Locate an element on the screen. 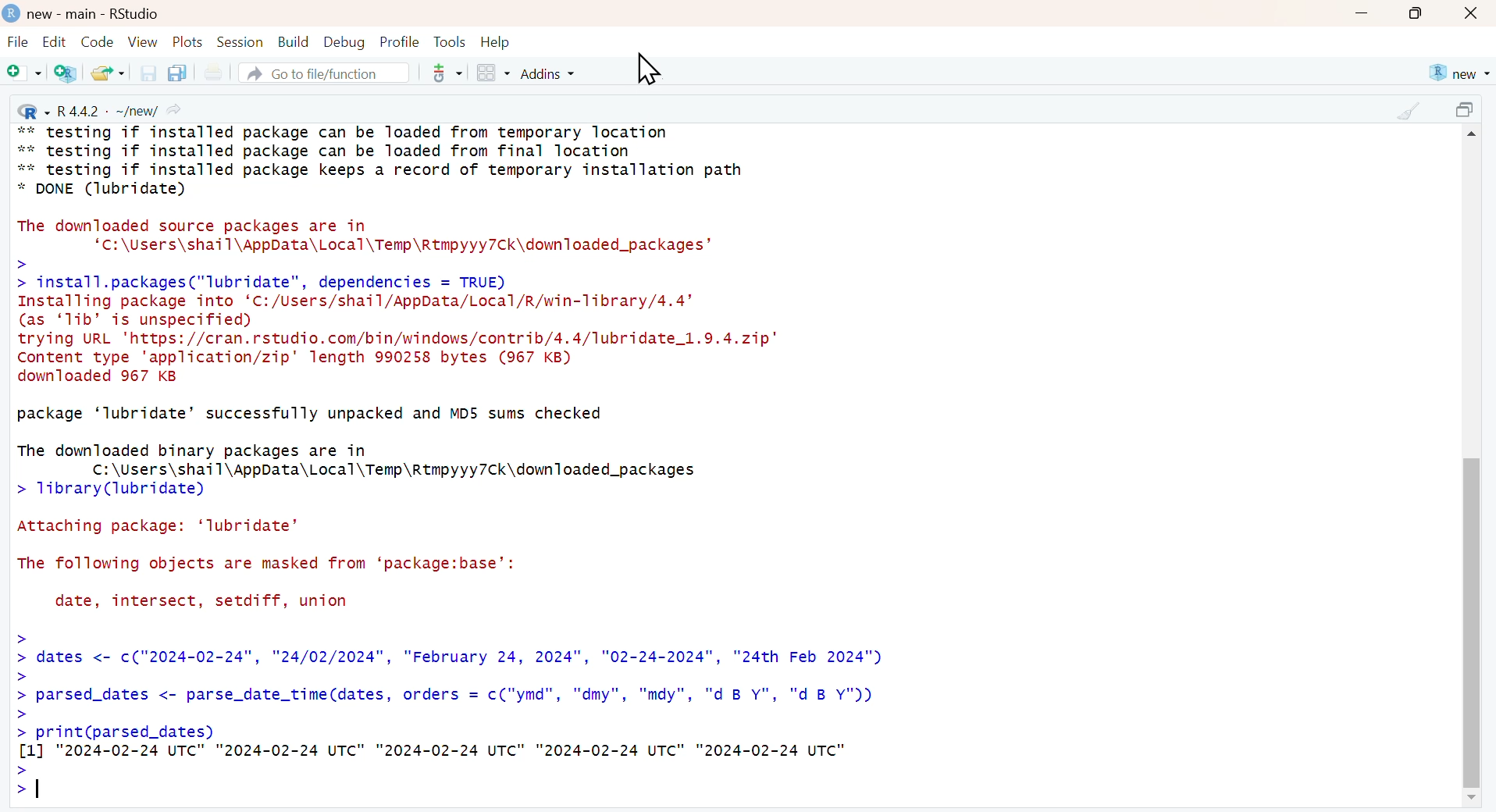 Image resolution: width=1496 pixels, height=812 pixels. Workspace panes is located at coordinates (493, 74).